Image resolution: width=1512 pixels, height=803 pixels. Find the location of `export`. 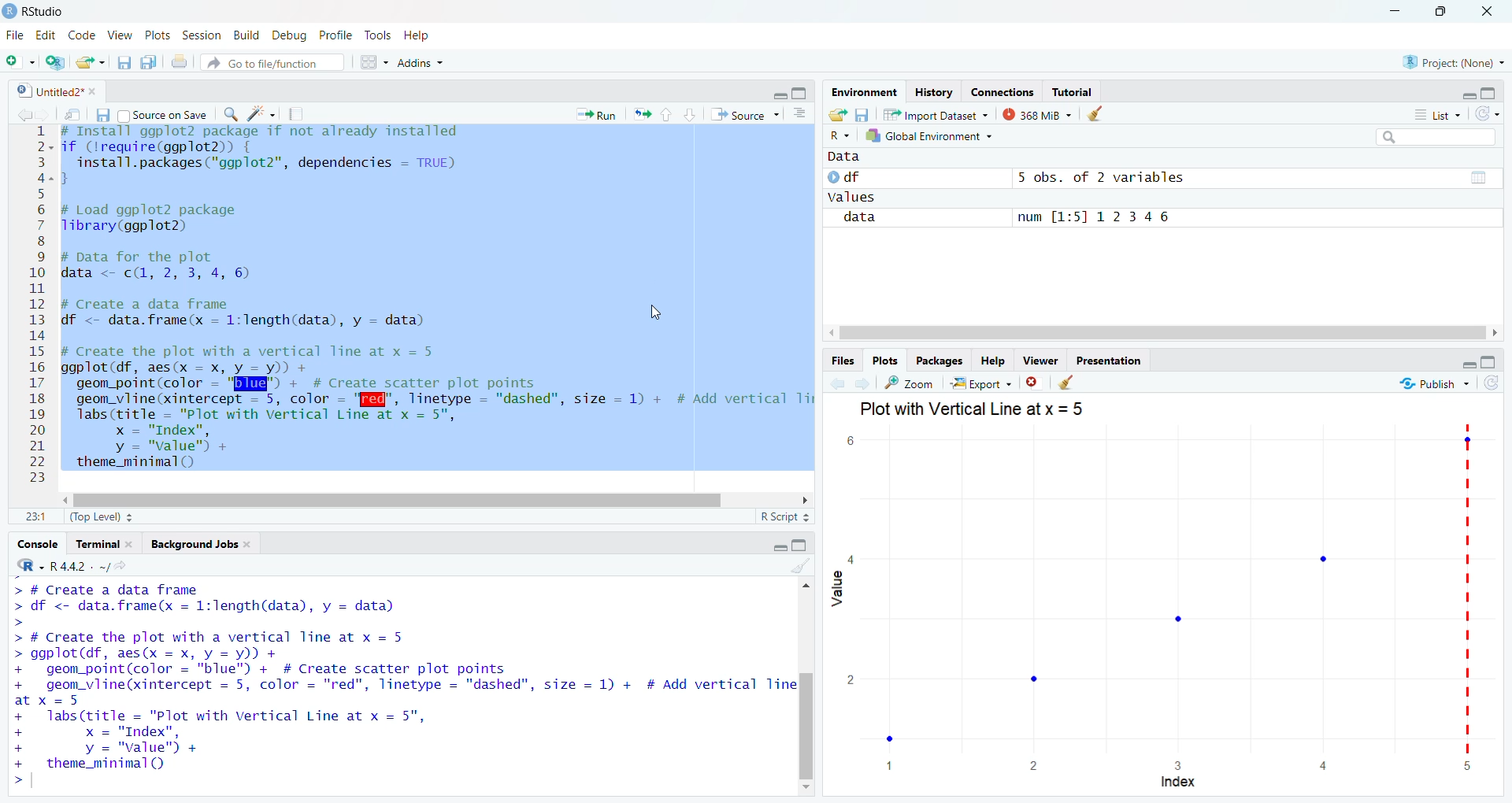

export is located at coordinates (642, 115).